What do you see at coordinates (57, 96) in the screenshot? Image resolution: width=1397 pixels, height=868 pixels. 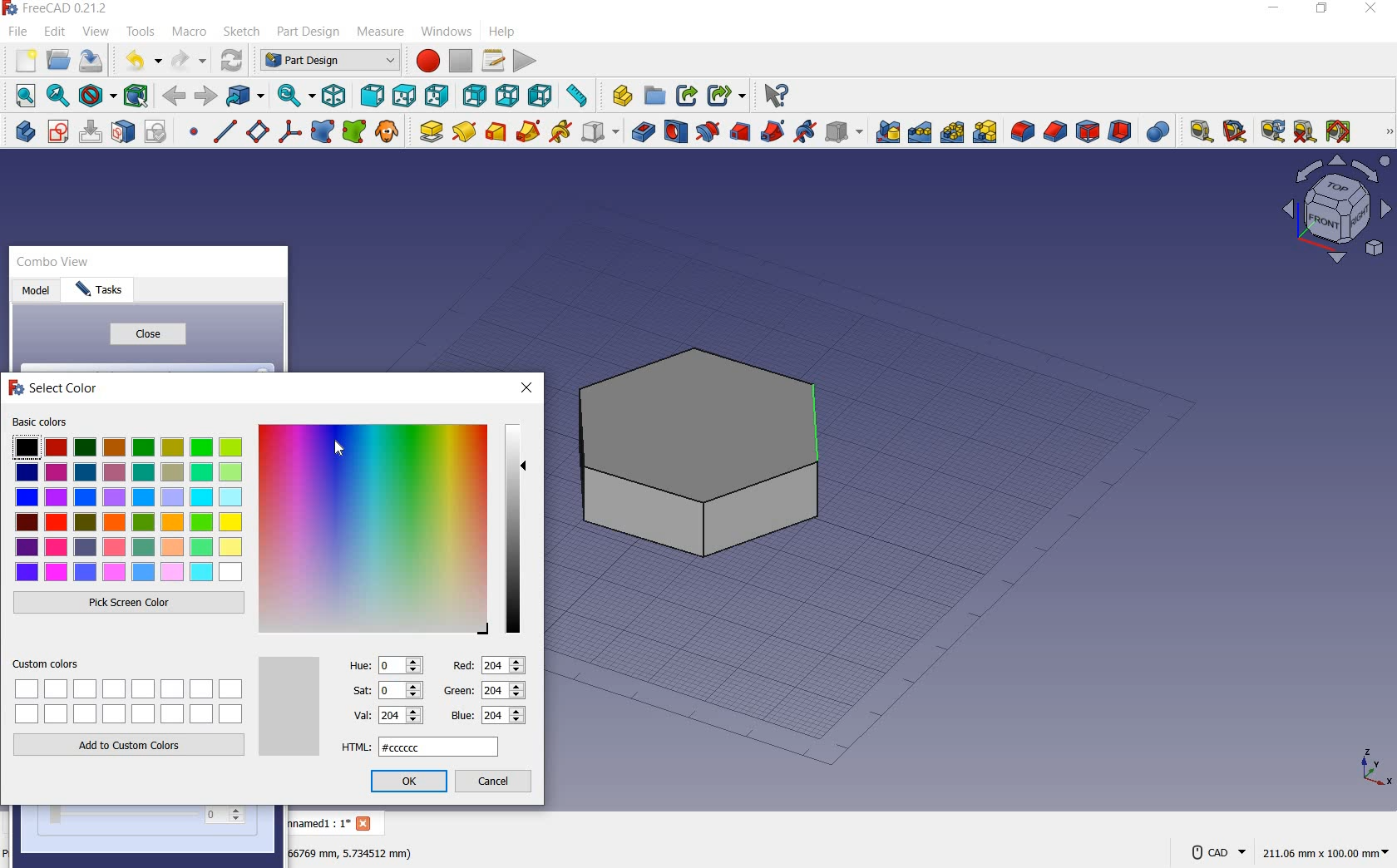 I see `fit selection` at bounding box center [57, 96].